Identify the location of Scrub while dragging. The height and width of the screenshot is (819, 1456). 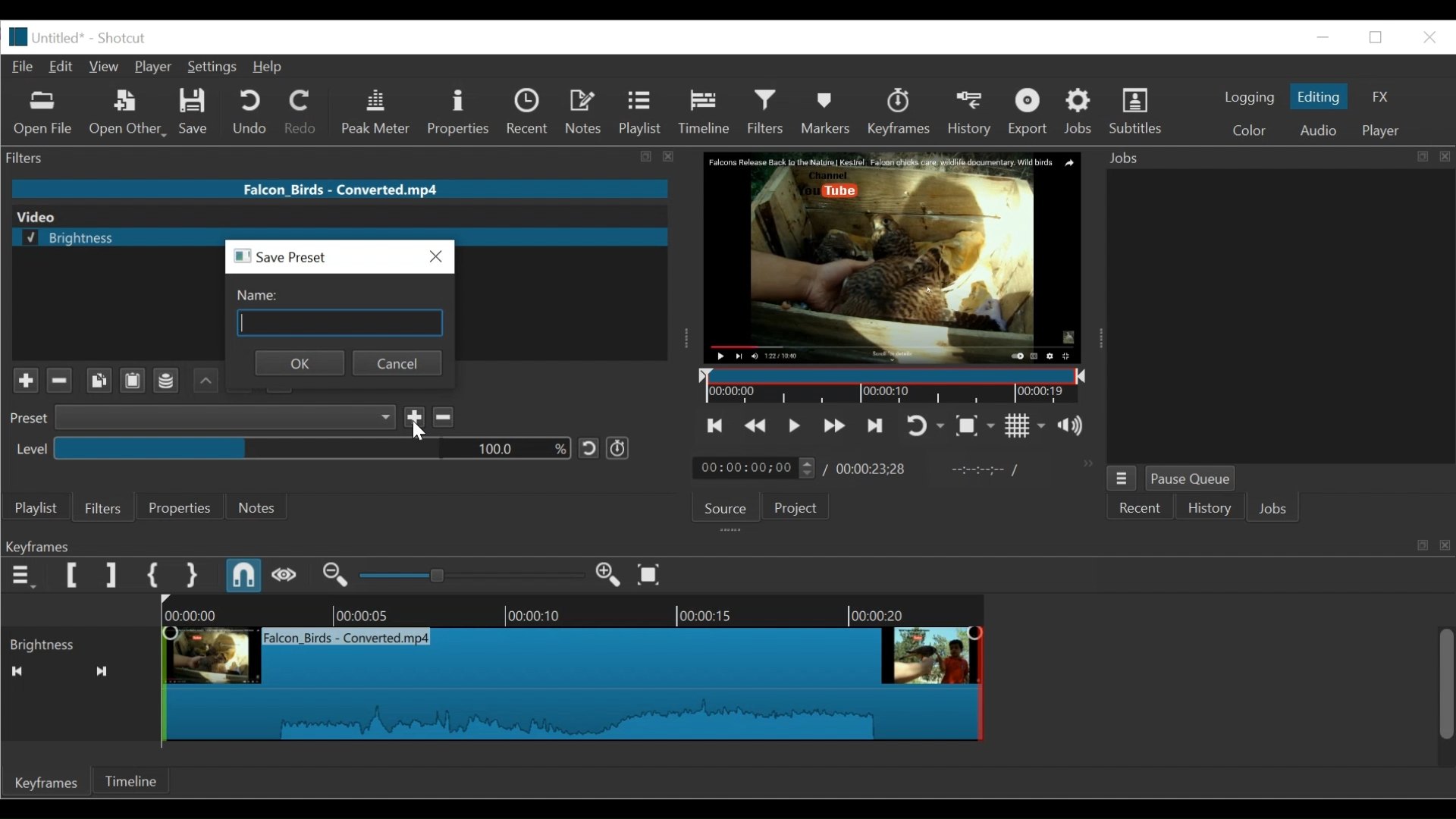
(284, 576).